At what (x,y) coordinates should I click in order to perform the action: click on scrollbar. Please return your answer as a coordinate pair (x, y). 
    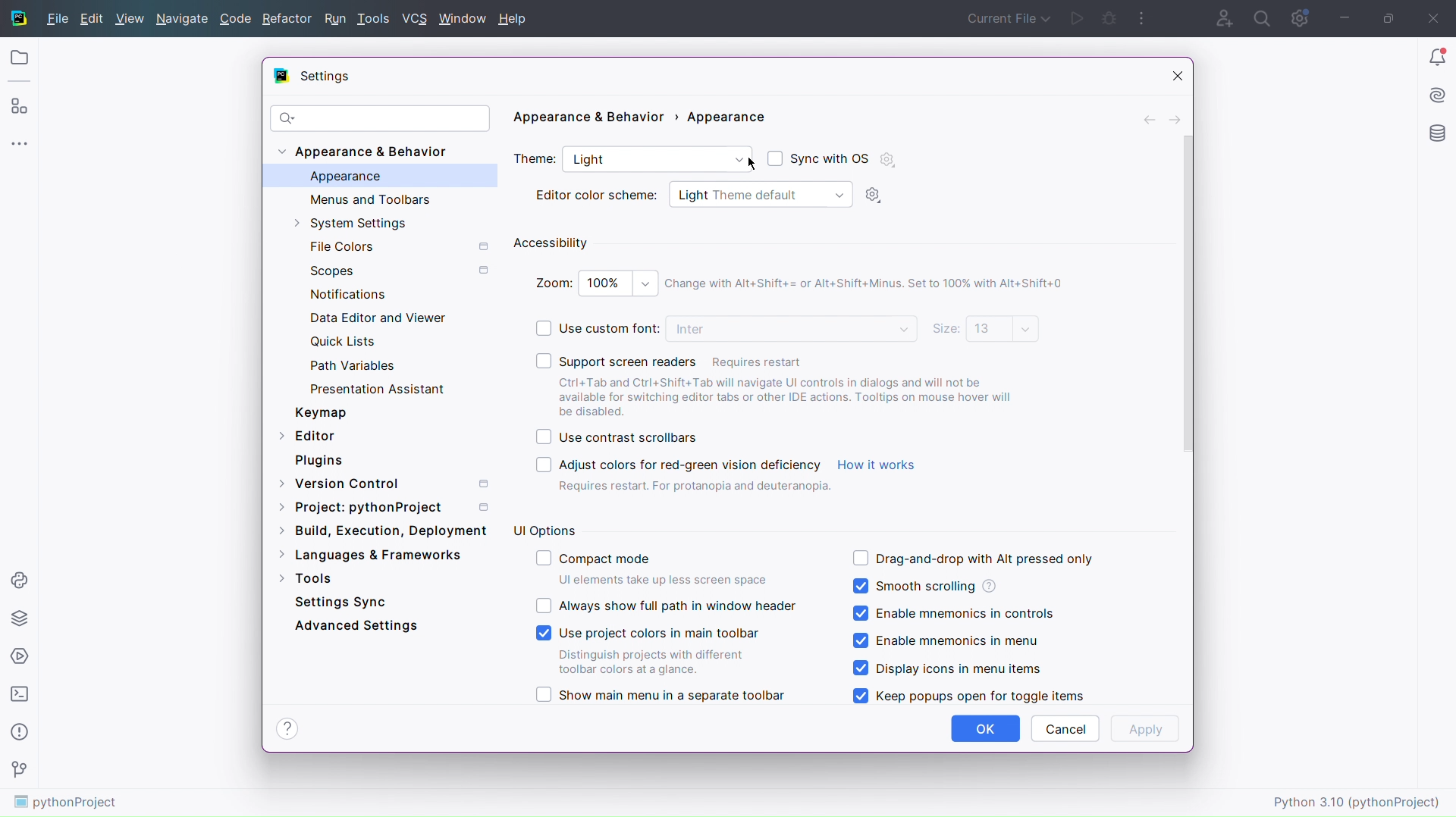
    Looking at the image, I should click on (1184, 293).